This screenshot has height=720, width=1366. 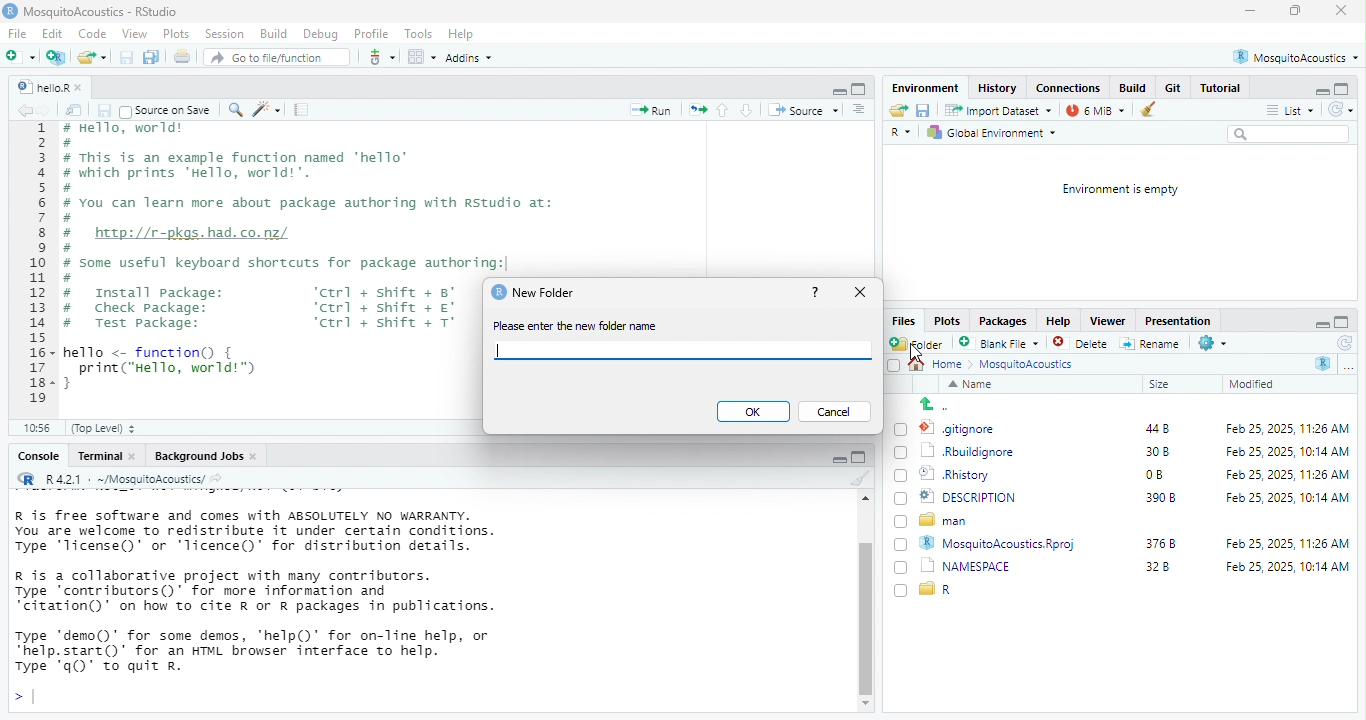 What do you see at coordinates (1098, 110) in the screenshot?
I see `7 mb` at bounding box center [1098, 110].